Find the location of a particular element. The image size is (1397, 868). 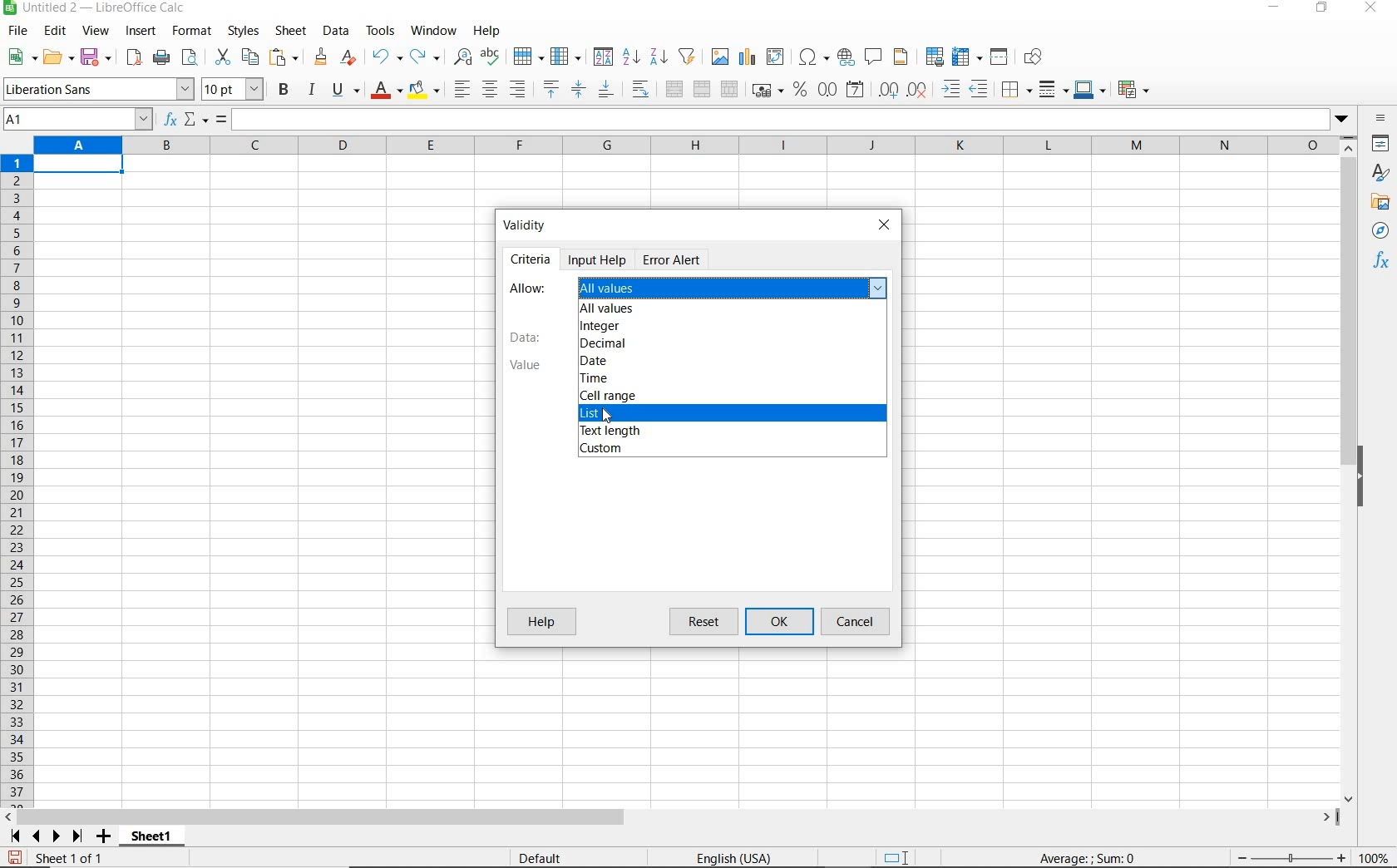

row is located at coordinates (528, 57).